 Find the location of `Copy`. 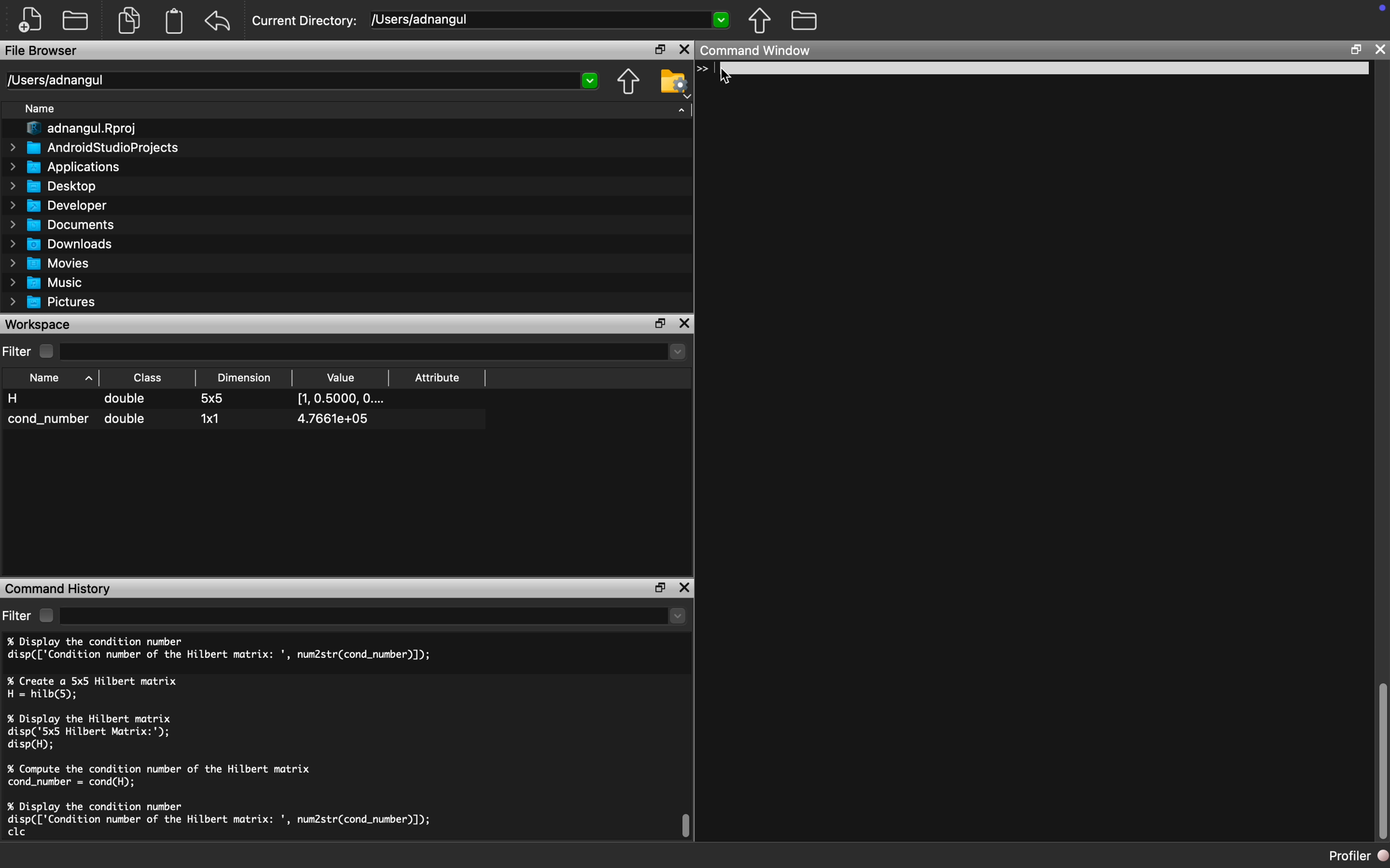

Copy is located at coordinates (128, 18).